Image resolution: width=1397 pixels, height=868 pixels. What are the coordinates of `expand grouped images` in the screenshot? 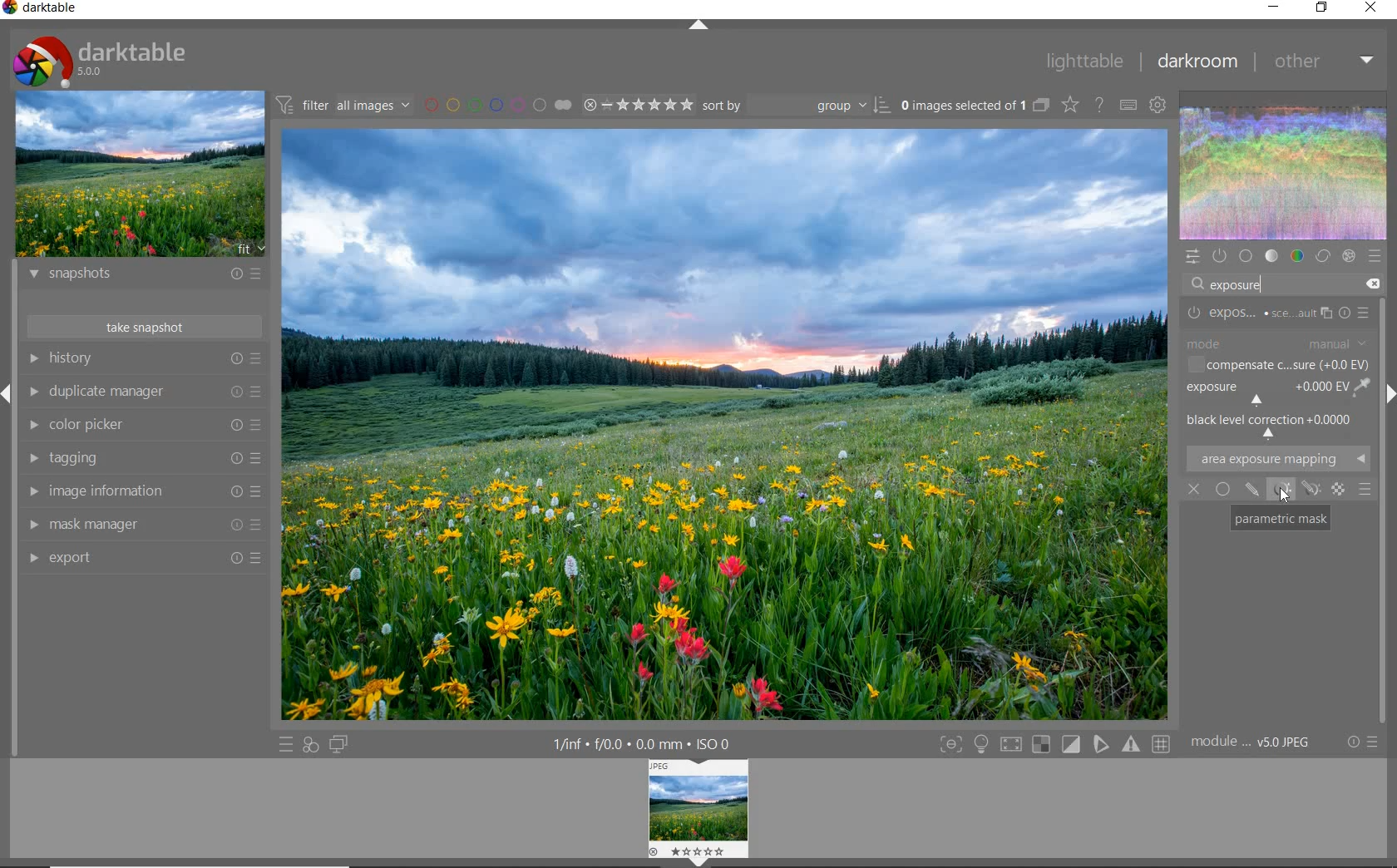 It's located at (975, 106).